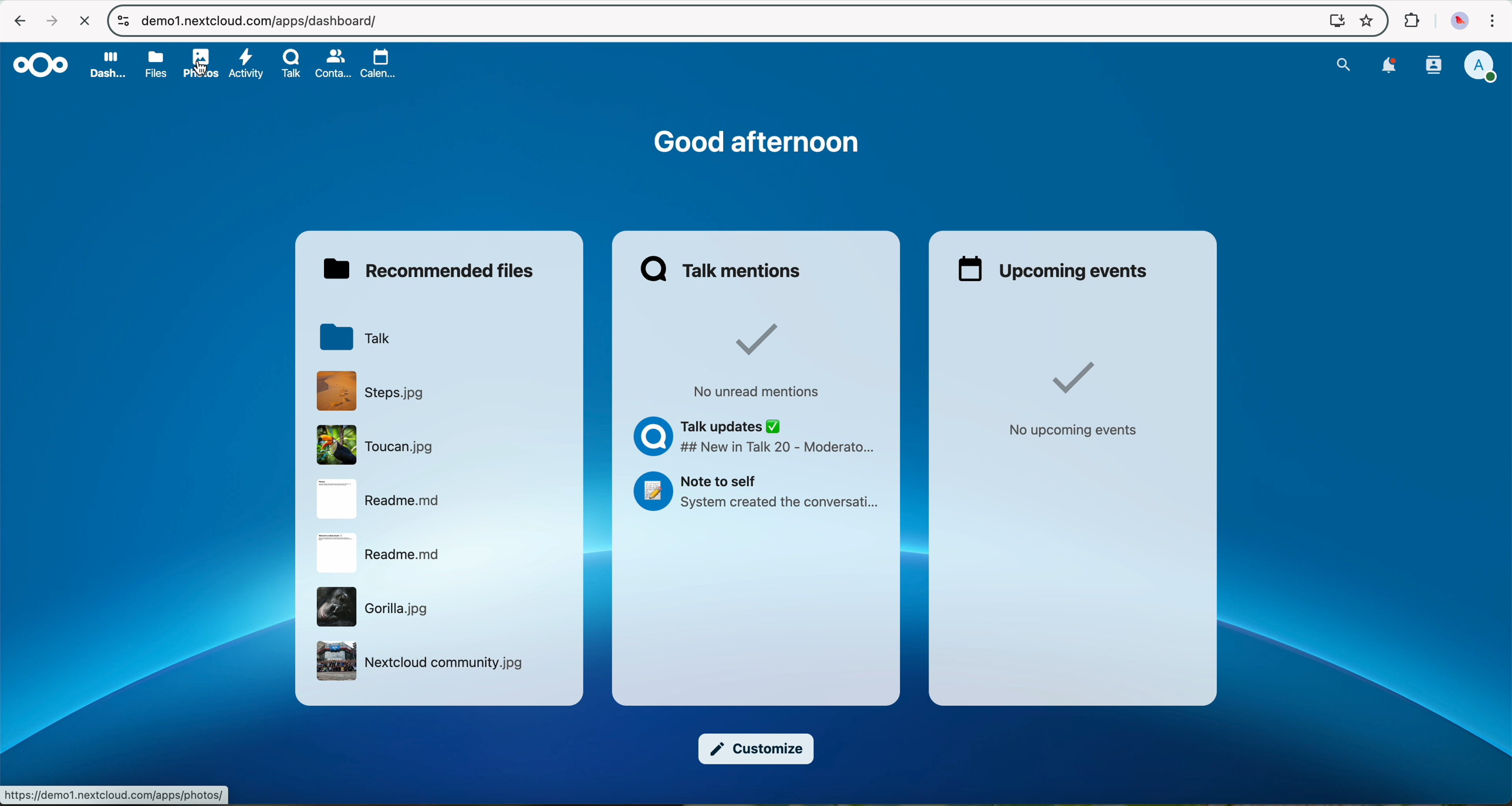 Image resolution: width=1512 pixels, height=806 pixels. What do you see at coordinates (291, 63) in the screenshot?
I see `Talk` at bounding box center [291, 63].